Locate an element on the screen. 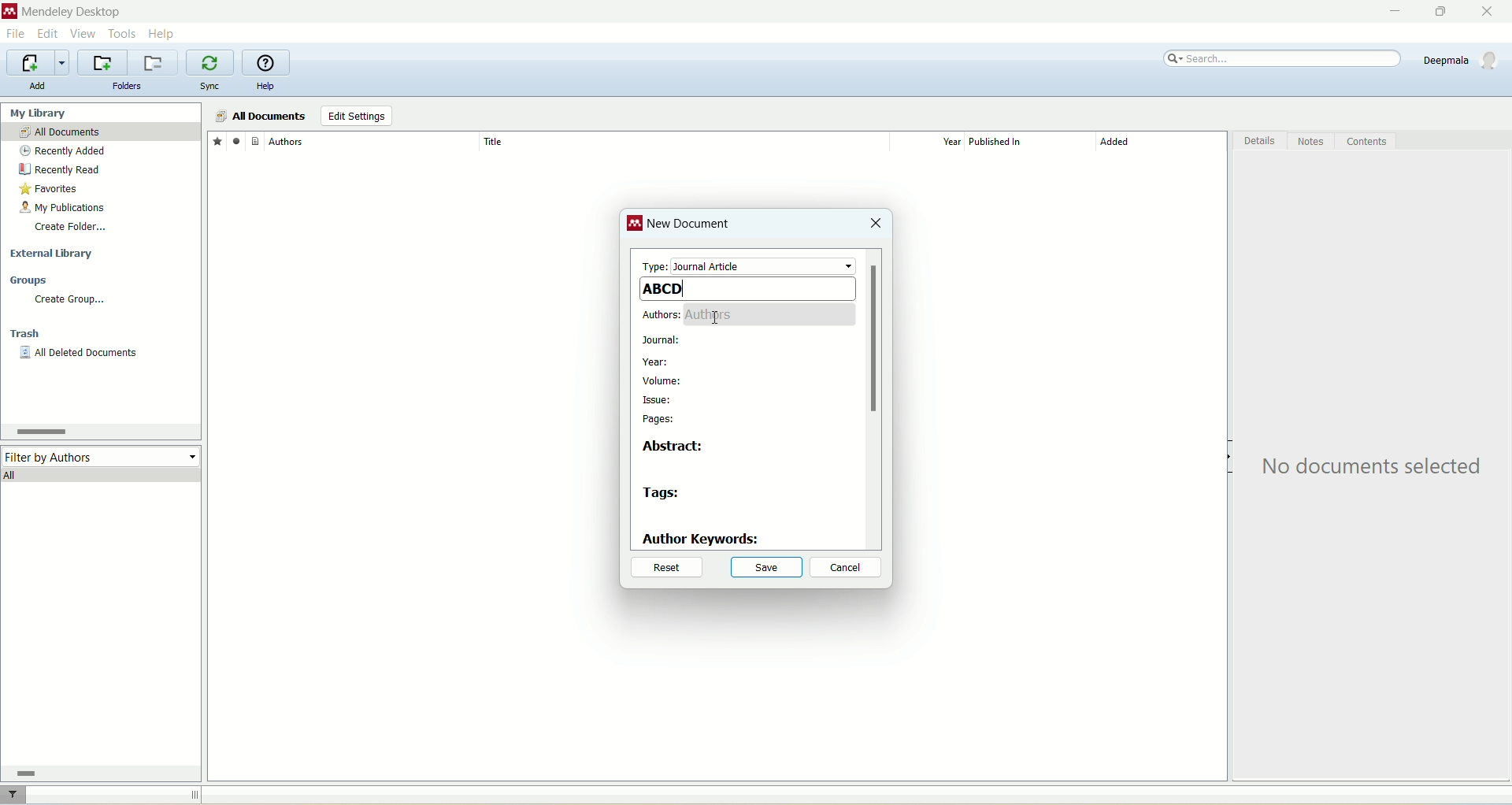  all is located at coordinates (102, 474).